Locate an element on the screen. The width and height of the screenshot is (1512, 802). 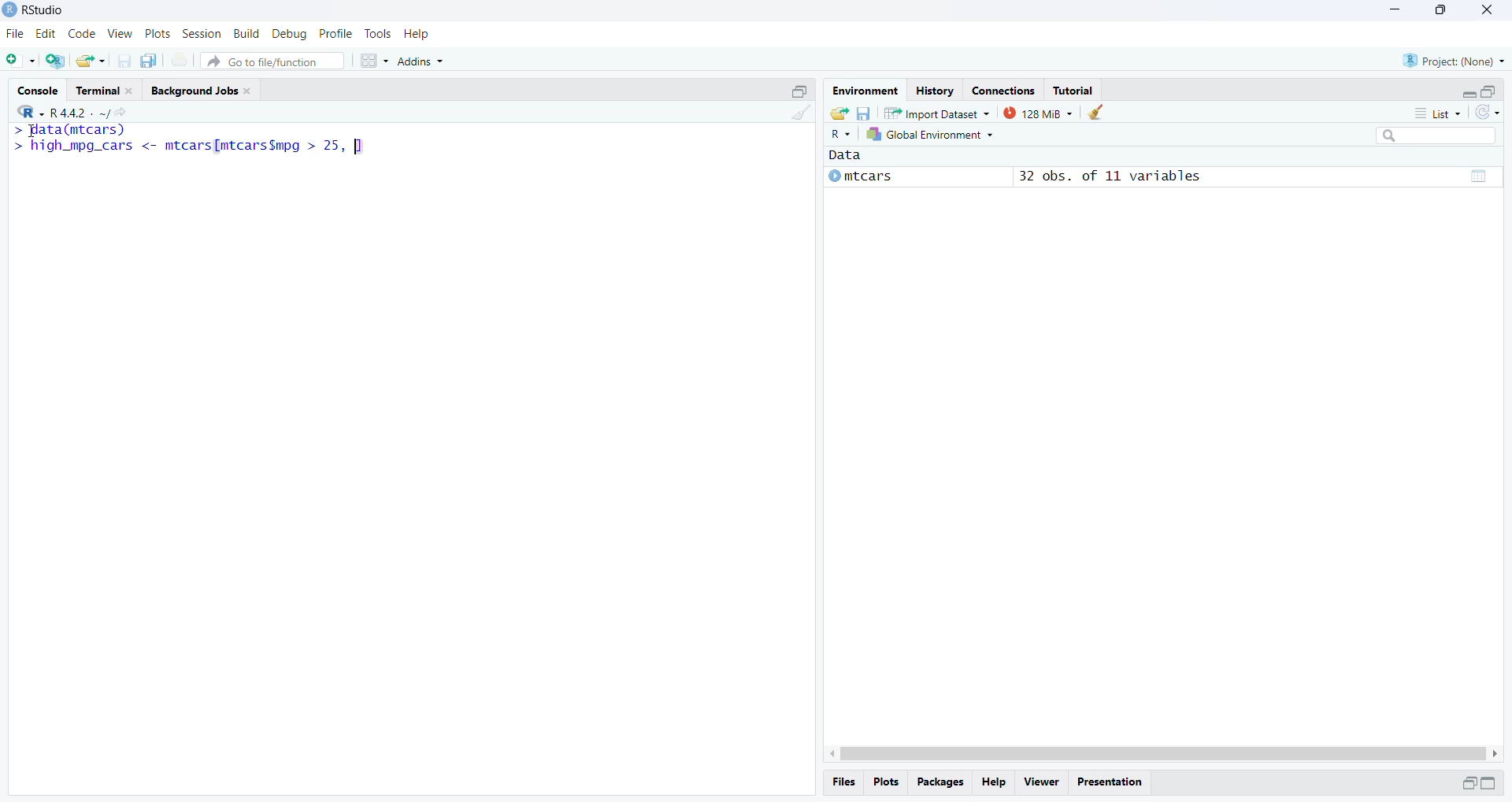
Presentation is located at coordinates (1109, 782).